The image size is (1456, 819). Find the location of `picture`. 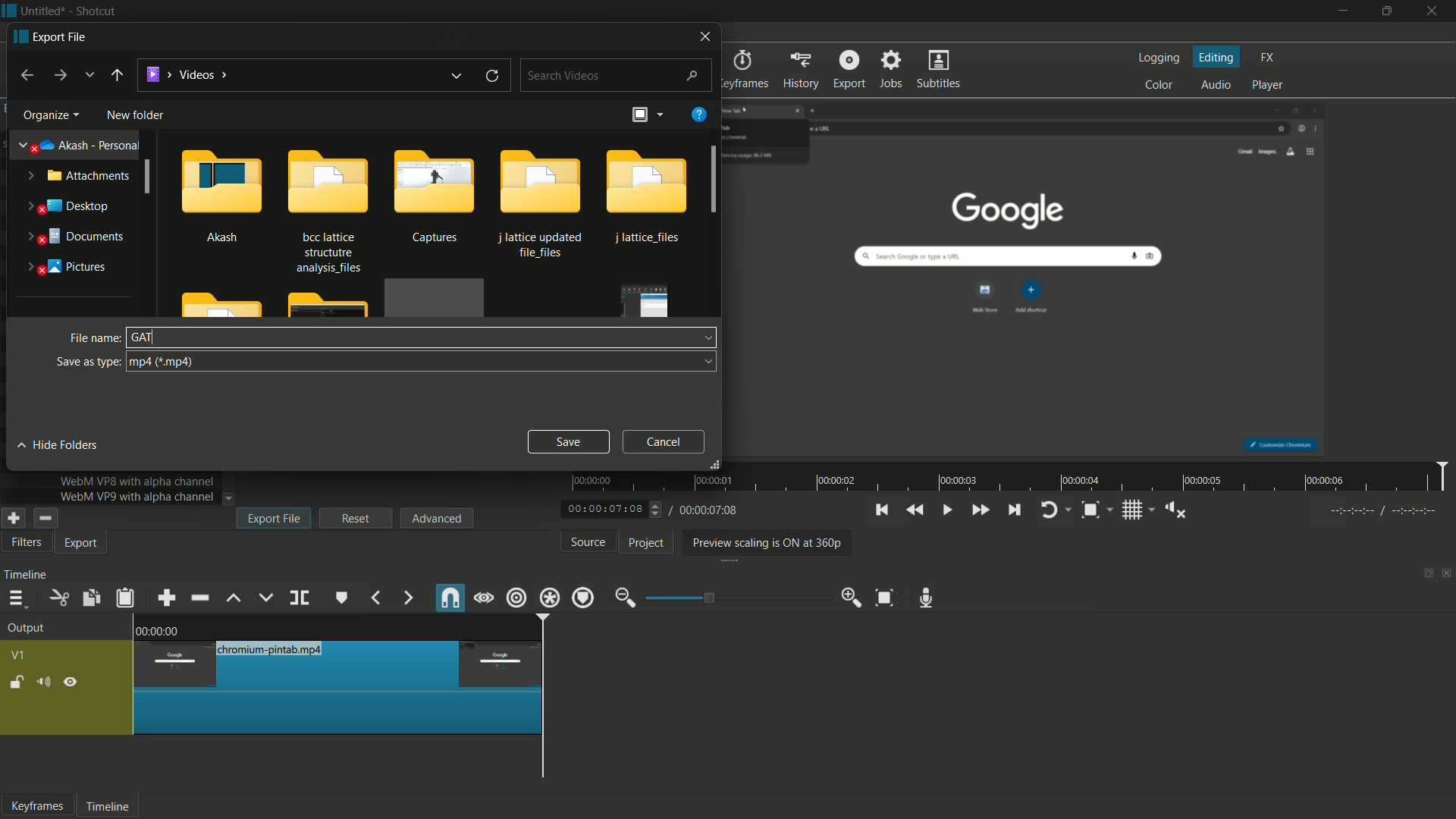

picture is located at coordinates (66, 268).